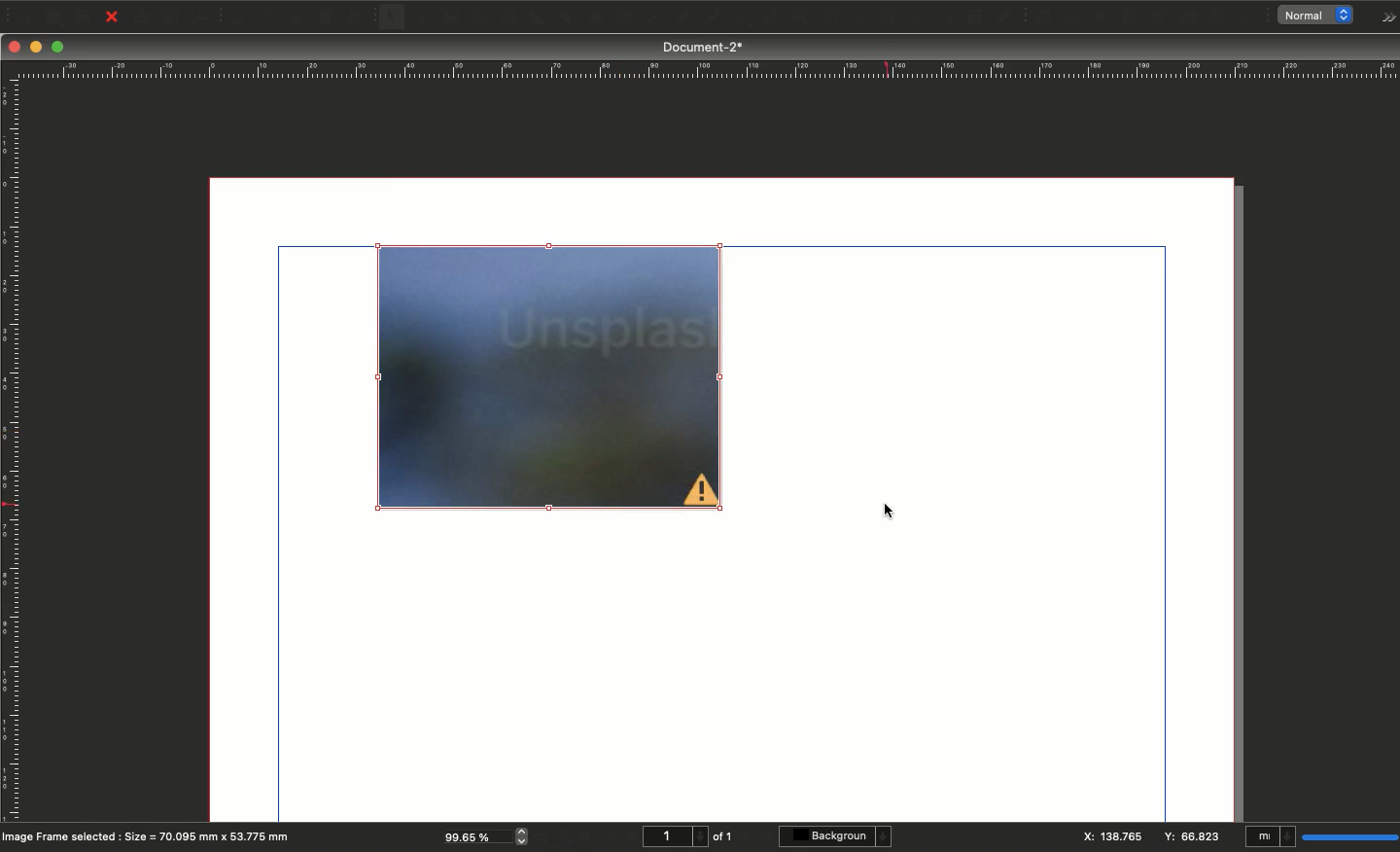 The height and width of the screenshot is (852, 1400). I want to click on Line, so click(652, 18).